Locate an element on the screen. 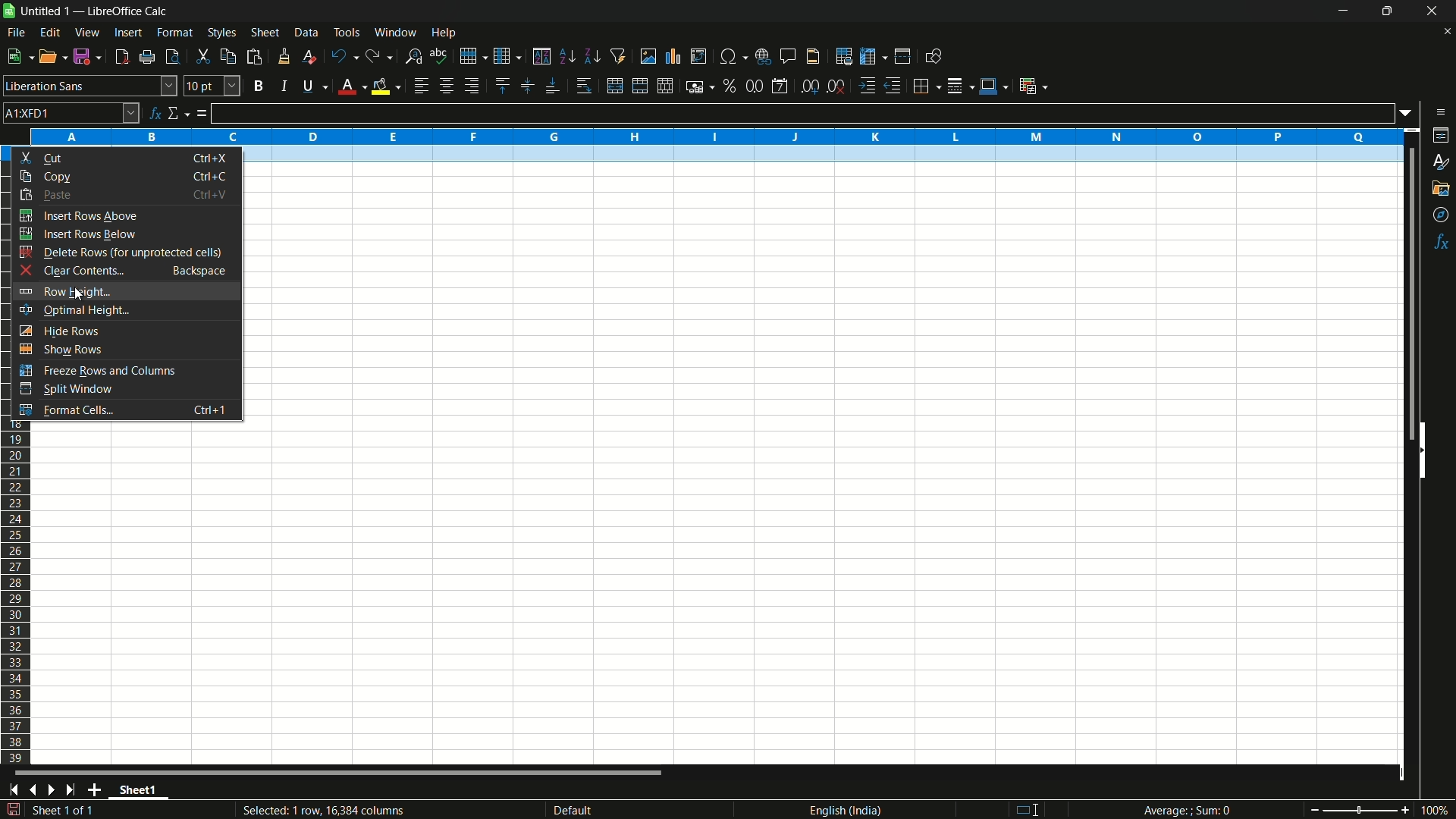 Image resolution: width=1456 pixels, height=819 pixels. align right is located at coordinates (470, 86).